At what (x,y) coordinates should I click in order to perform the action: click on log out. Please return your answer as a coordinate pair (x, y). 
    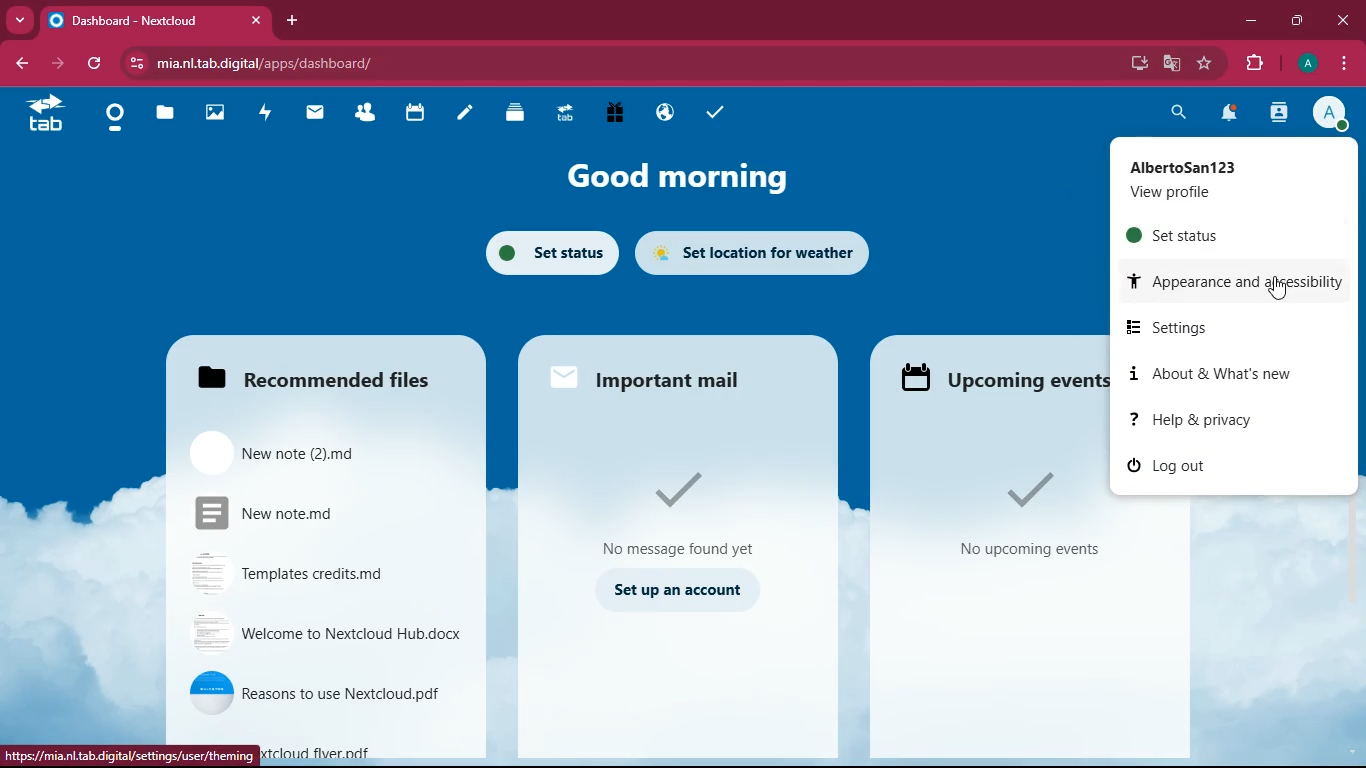
    Looking at the image, I should click on (1196, 467).